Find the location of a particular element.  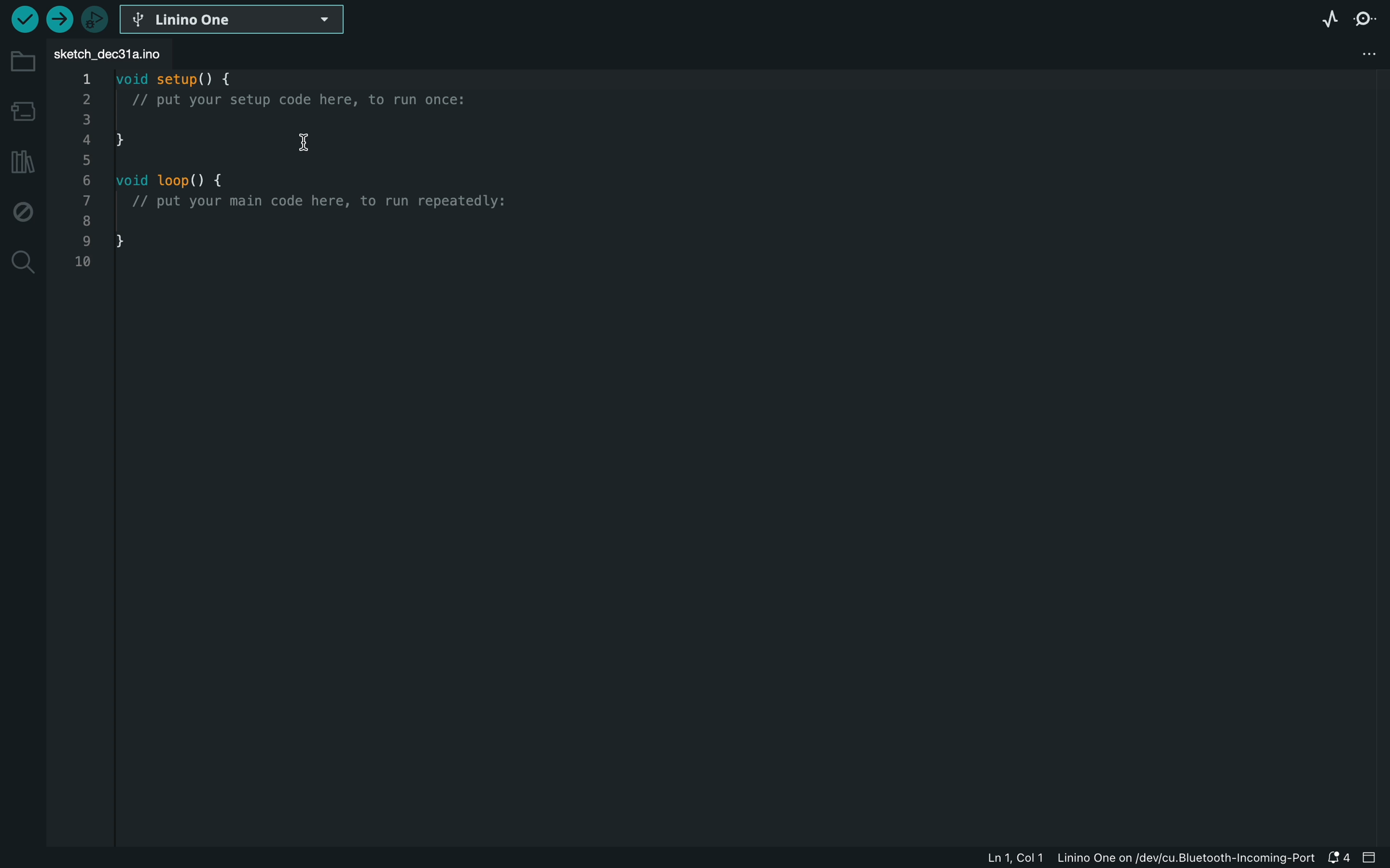

debug is located at coordinates (20, 208).